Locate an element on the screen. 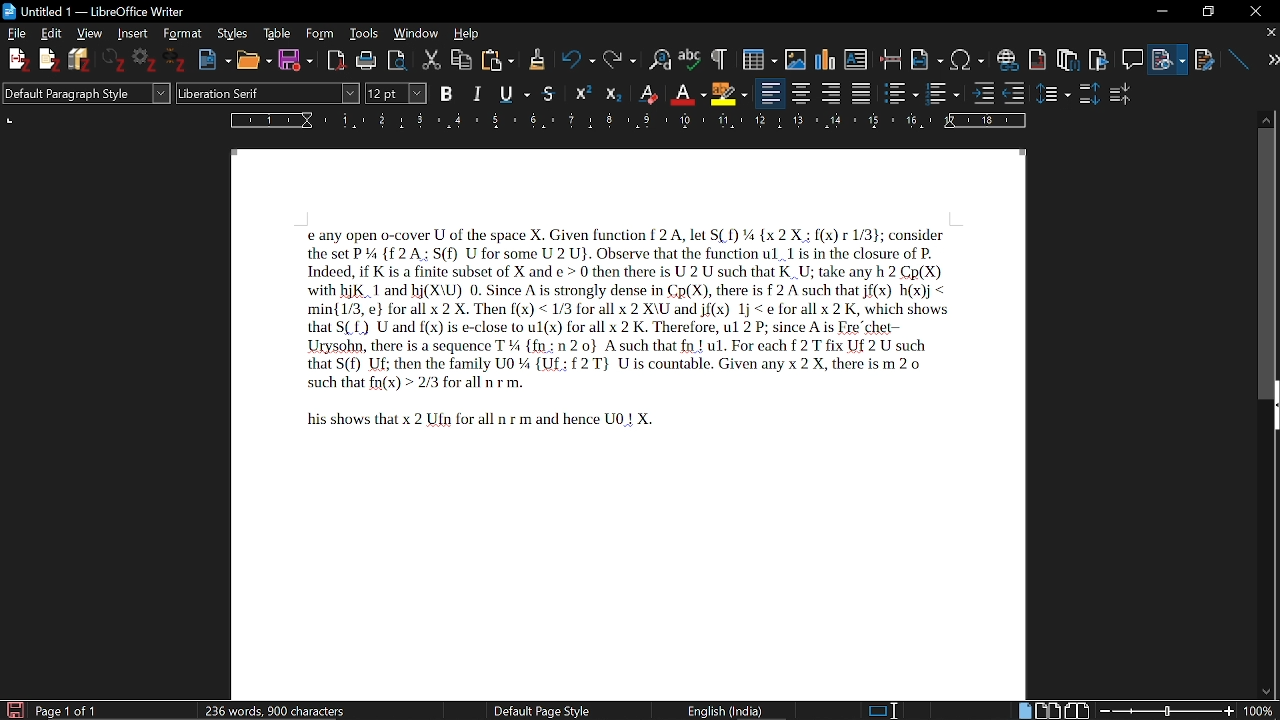  change zoom is located at coordinates (1185, 710).